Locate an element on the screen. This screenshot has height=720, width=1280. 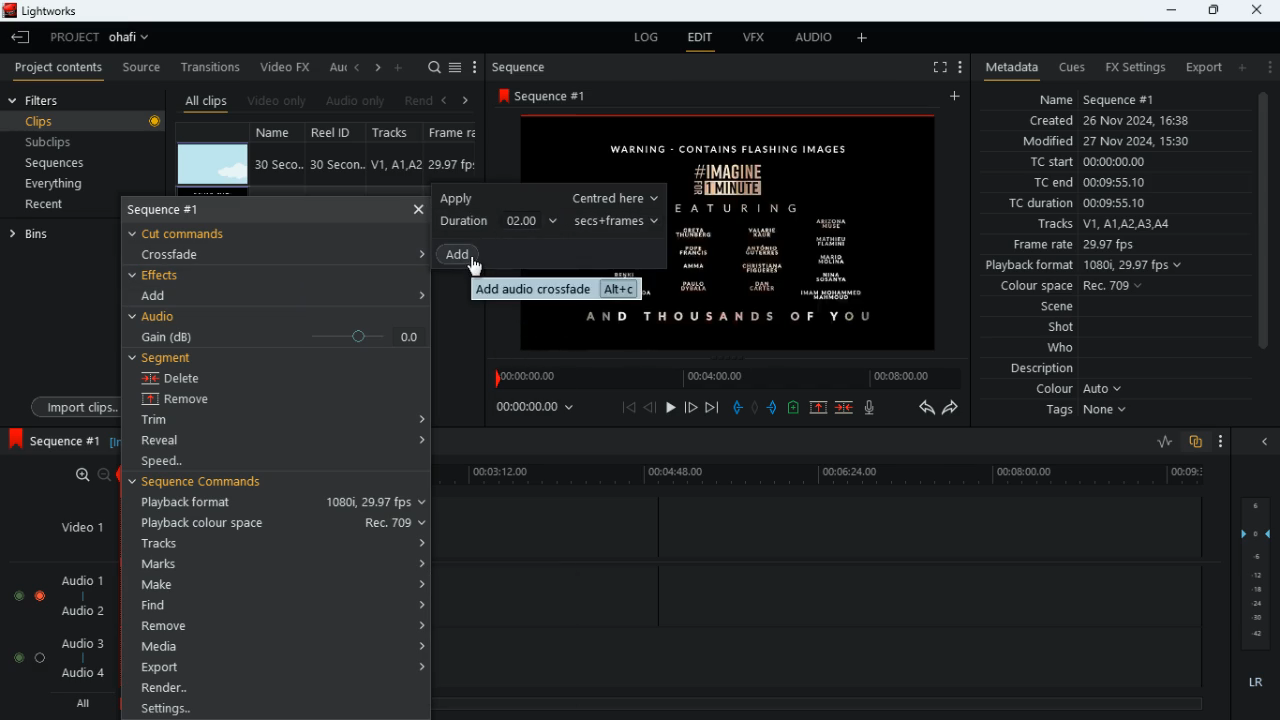
real id is located at coordinates (338, 132).